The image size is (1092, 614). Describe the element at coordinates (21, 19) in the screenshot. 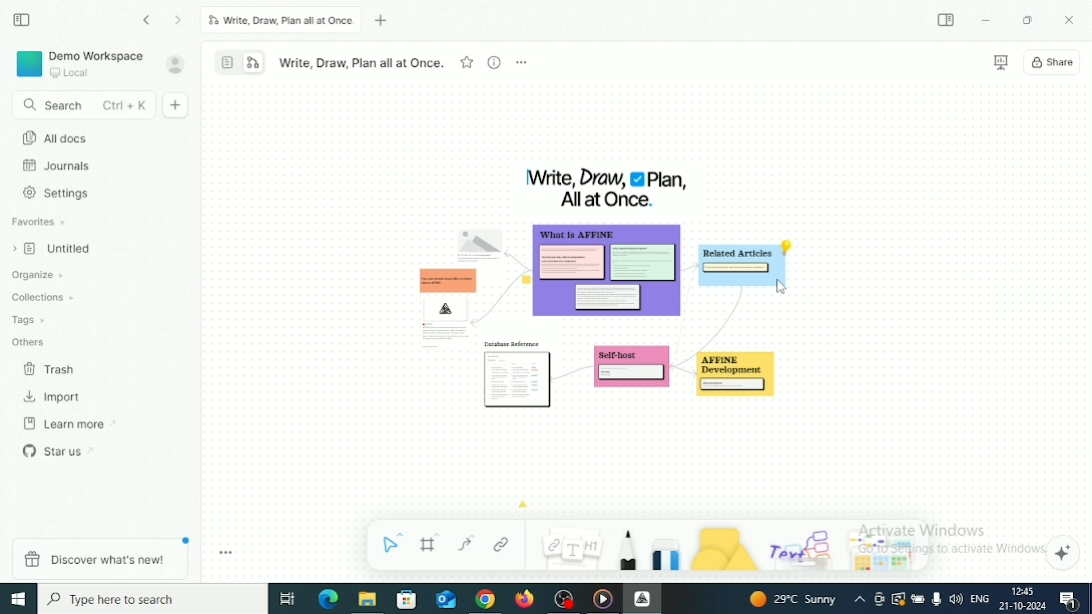

I see `Collapse sidebar` at that location.